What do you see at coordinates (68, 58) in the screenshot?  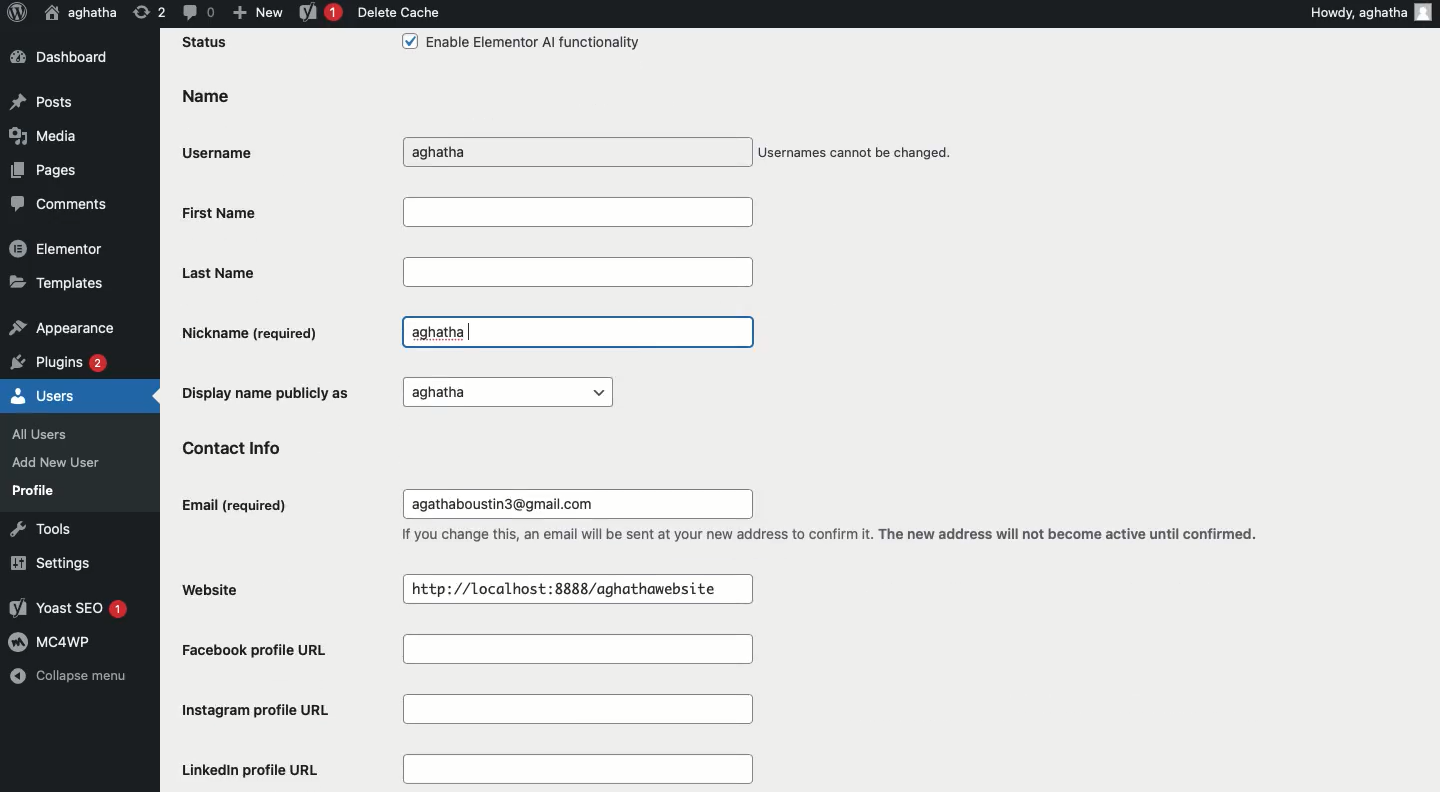 I see `Dashboard` at bounding box center [68, 58].